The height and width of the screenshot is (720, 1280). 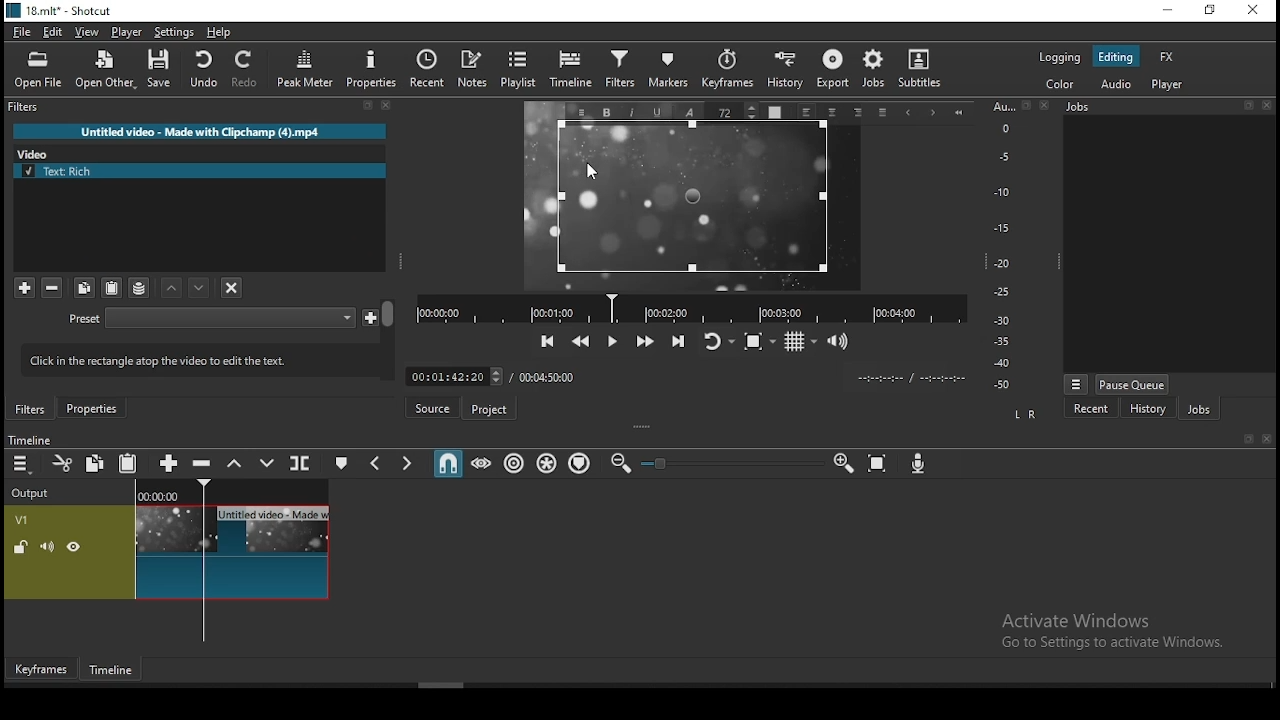 I want to click on add filter, so click(x=24, y=288).